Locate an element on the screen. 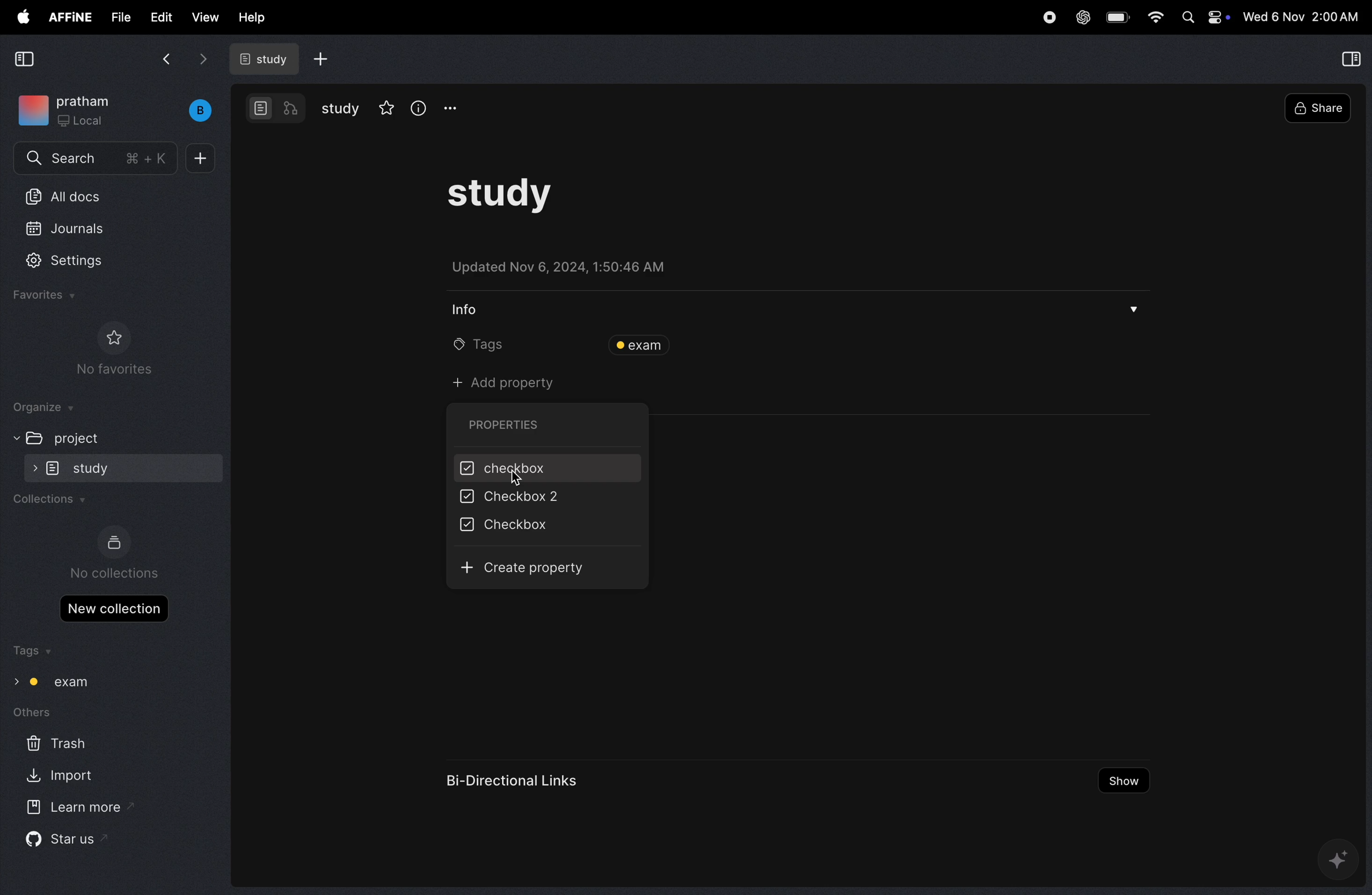 This screenshot has height=895, width=1372. exam tags is located at coordinates (61, 684).